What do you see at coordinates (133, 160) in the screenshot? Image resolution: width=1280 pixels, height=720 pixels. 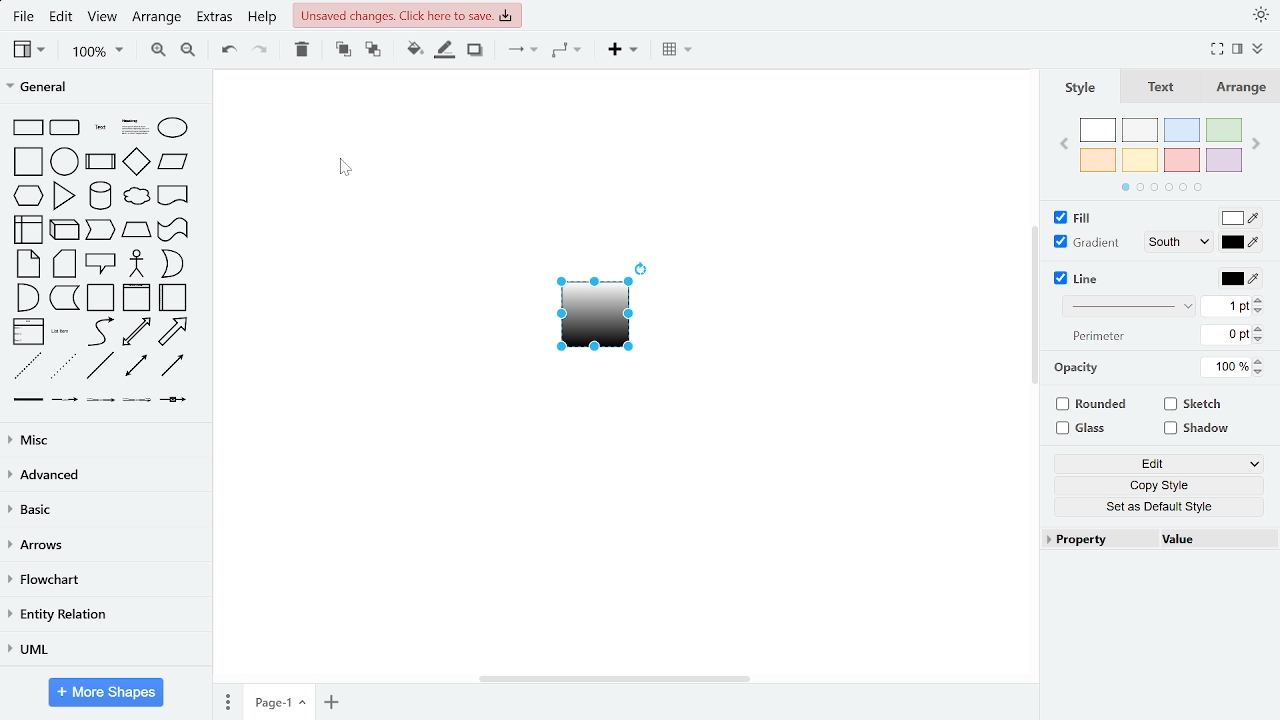 I see `general shapes` at bounding box center [133, 160].